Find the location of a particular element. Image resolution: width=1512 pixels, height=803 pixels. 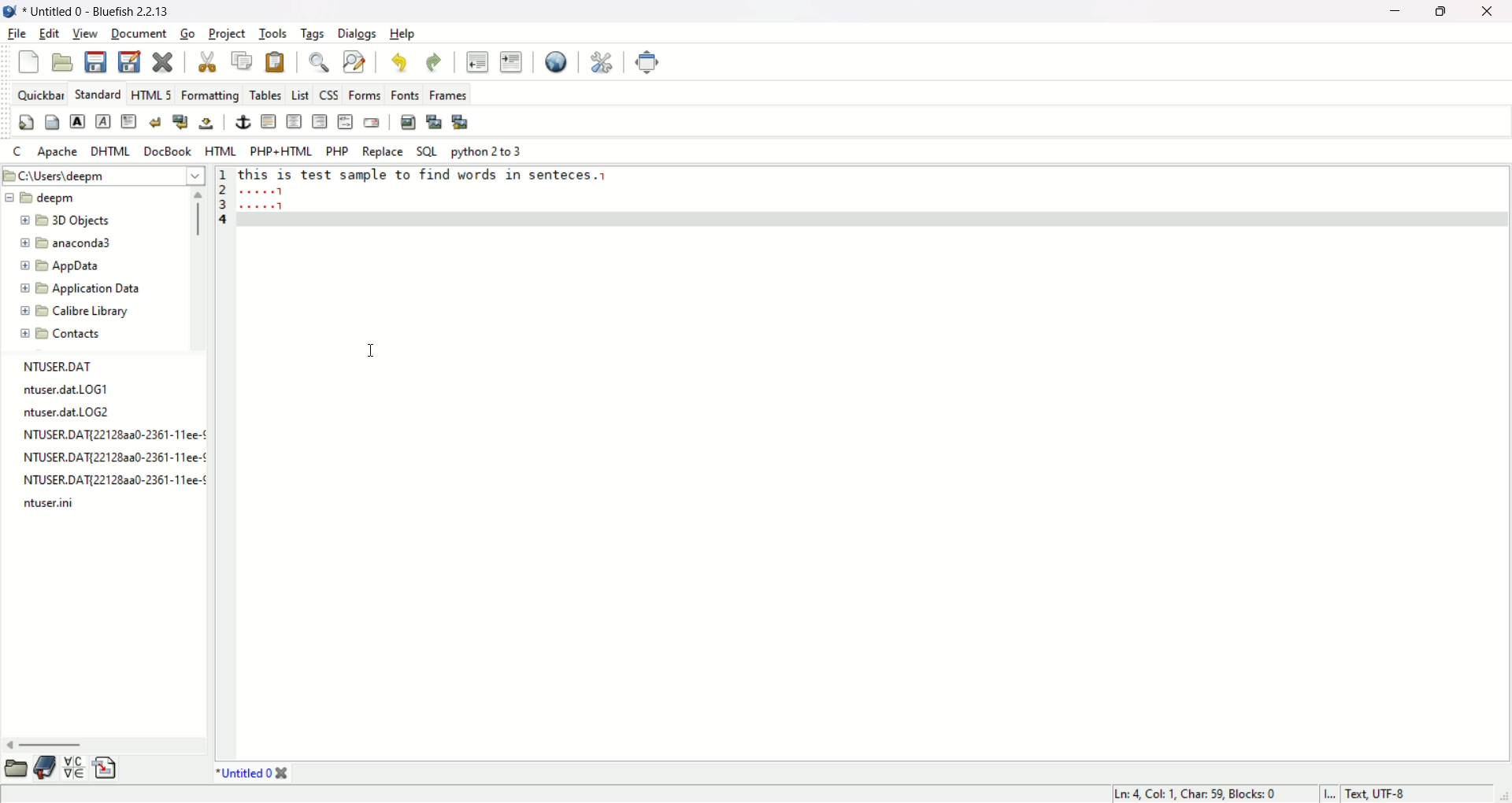

c is located at coordinates (17, 150).